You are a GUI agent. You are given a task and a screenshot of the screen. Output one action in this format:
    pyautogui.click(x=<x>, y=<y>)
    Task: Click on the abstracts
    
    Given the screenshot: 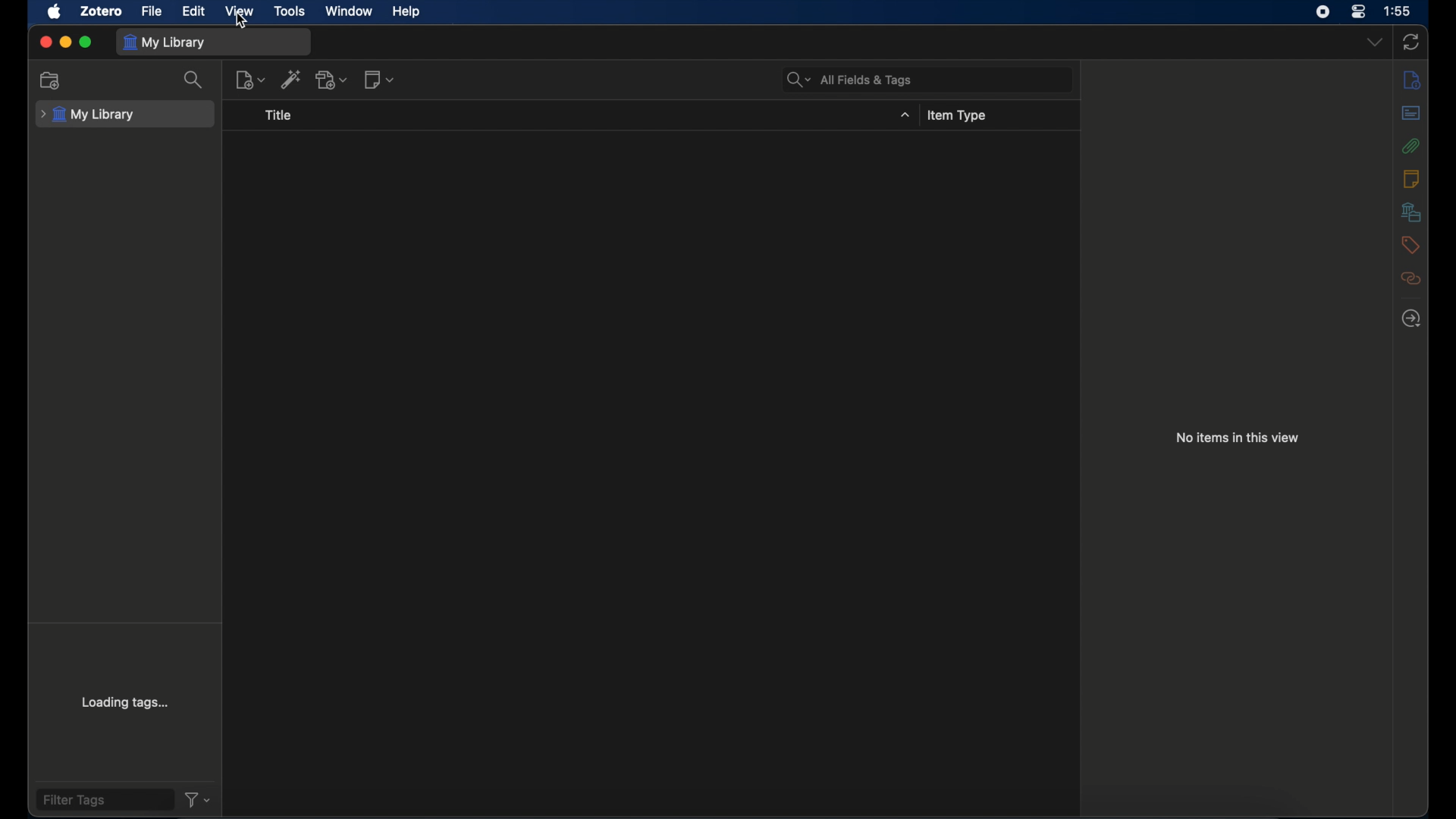 What is the action you would take?
    pyautogui.click(x=1410, y=112)
    